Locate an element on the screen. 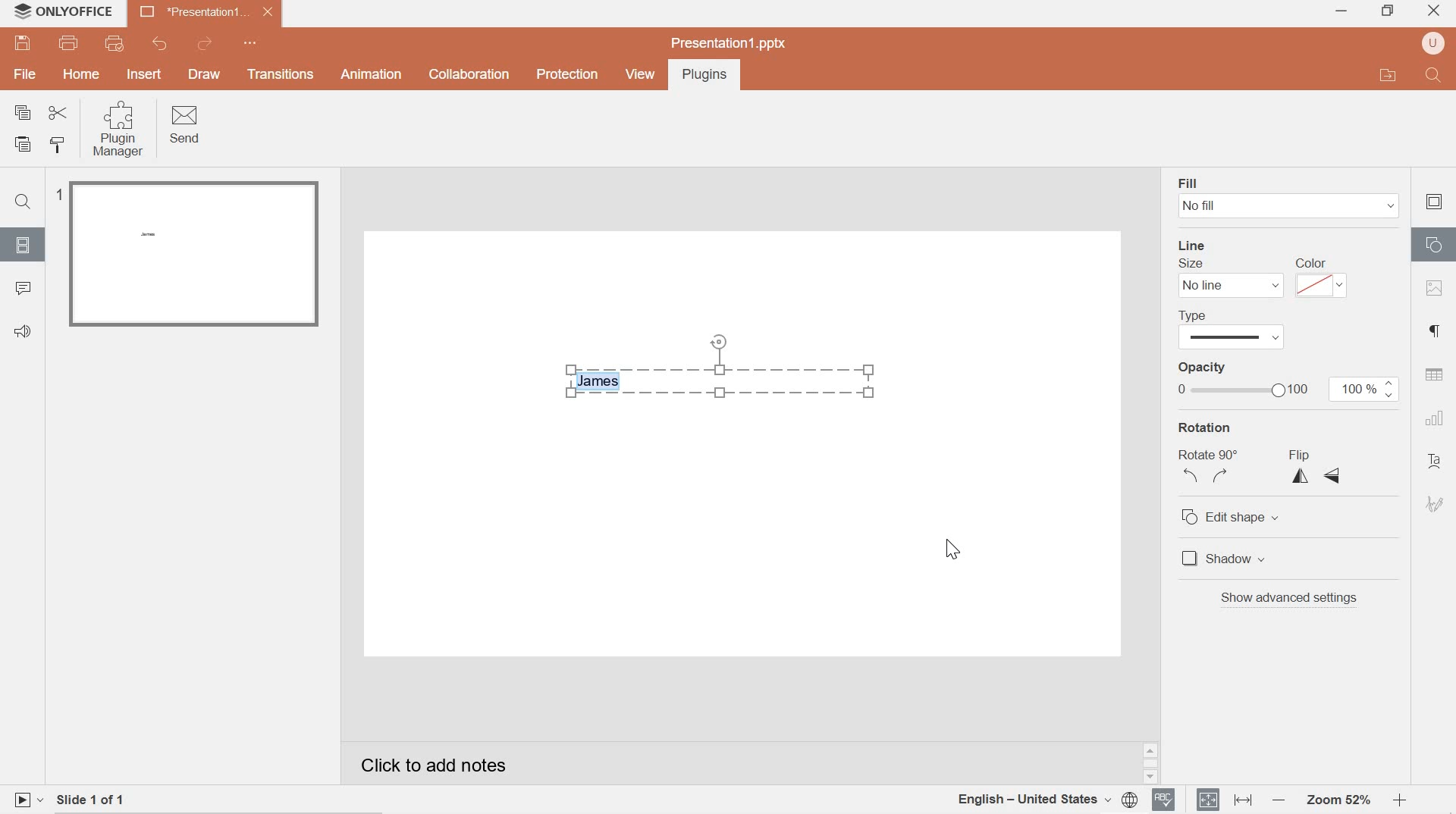  document language is located at coordinates (1047, 798).